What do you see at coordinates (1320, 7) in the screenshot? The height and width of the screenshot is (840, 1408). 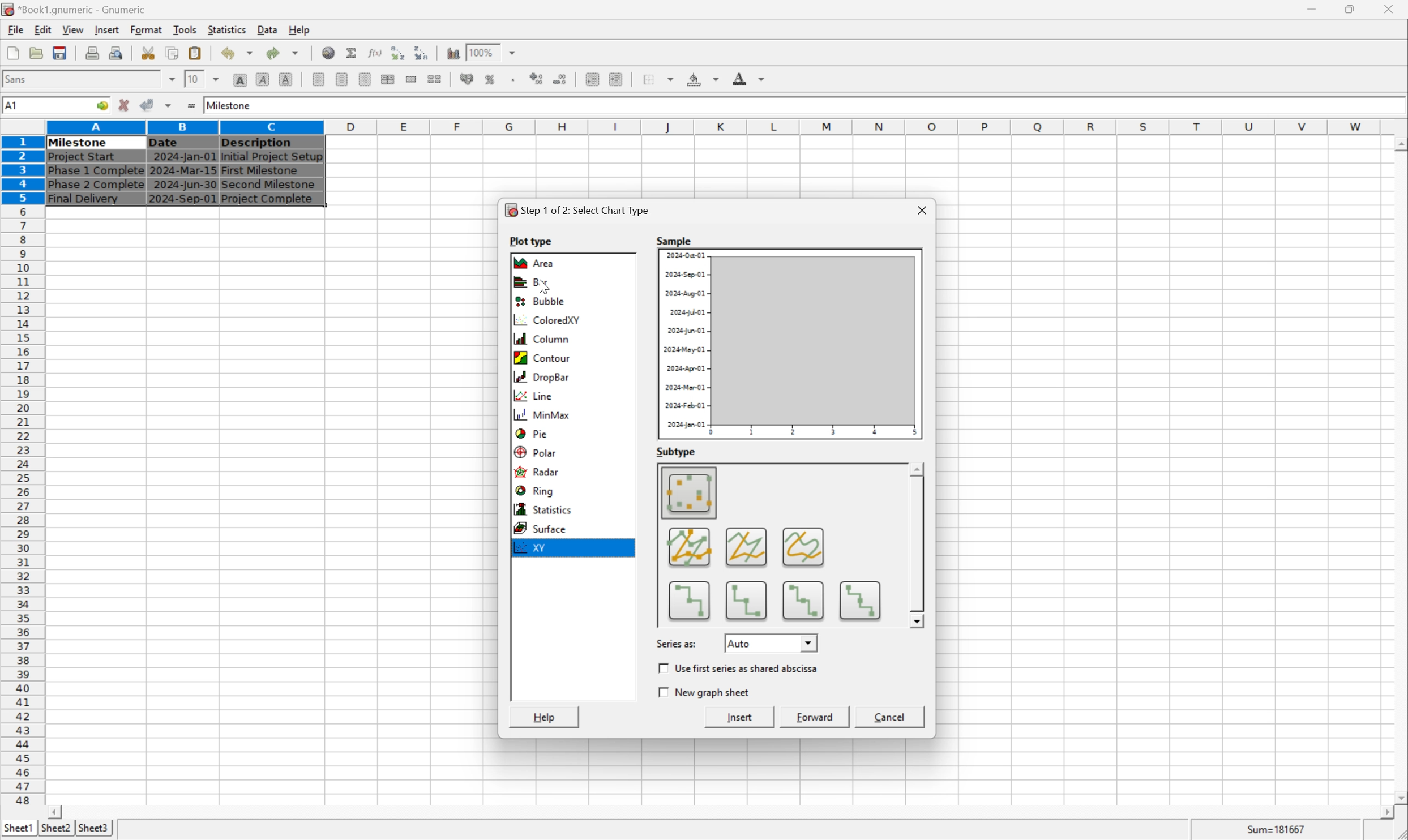 I see `minimize` at bounding box center [1320, 7].